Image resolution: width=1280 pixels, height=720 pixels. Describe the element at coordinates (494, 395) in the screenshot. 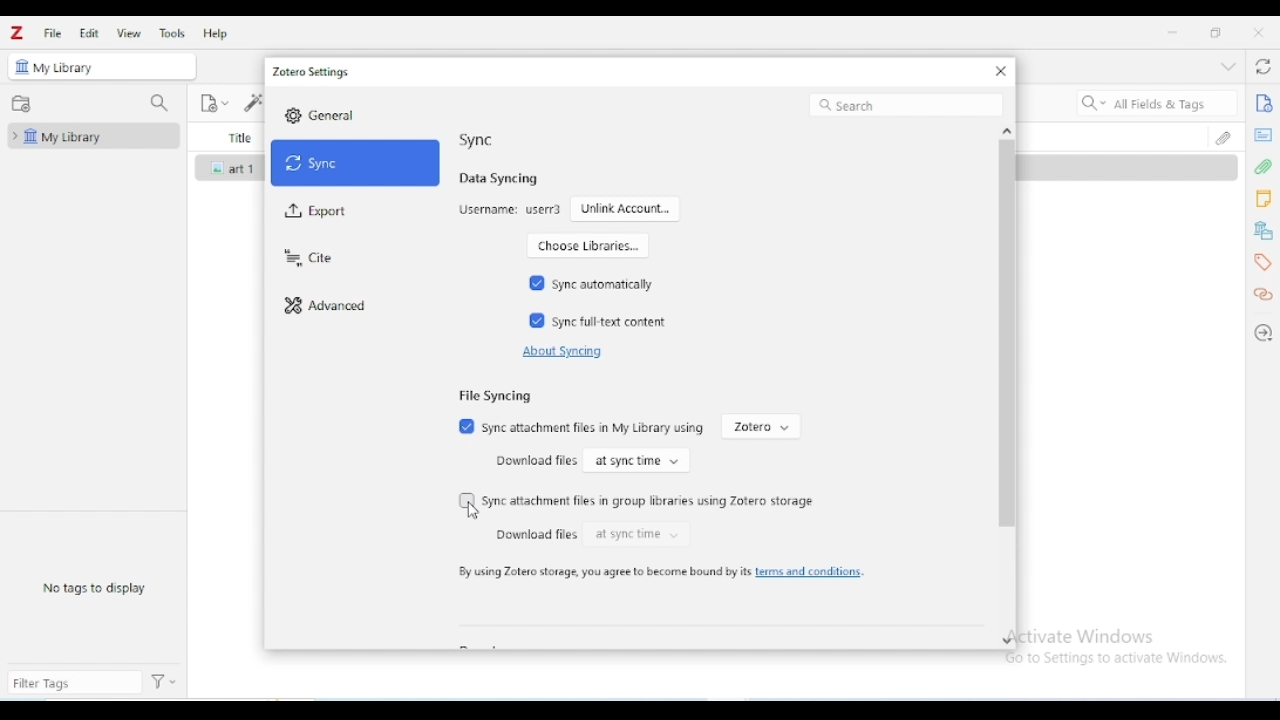

I see `file syncing` at that location.